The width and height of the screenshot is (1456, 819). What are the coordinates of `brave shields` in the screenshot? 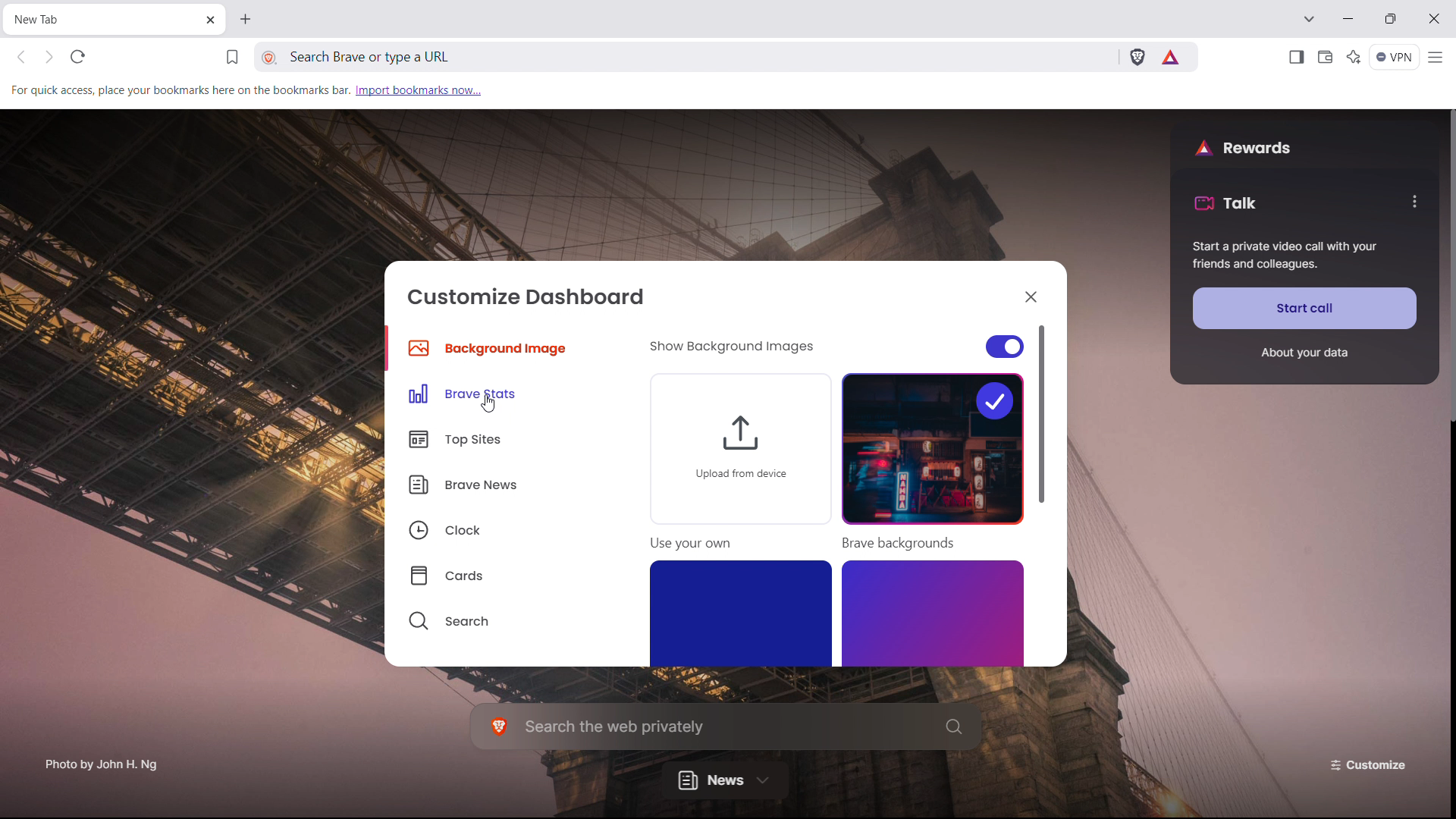 It's located at (1137, 55).